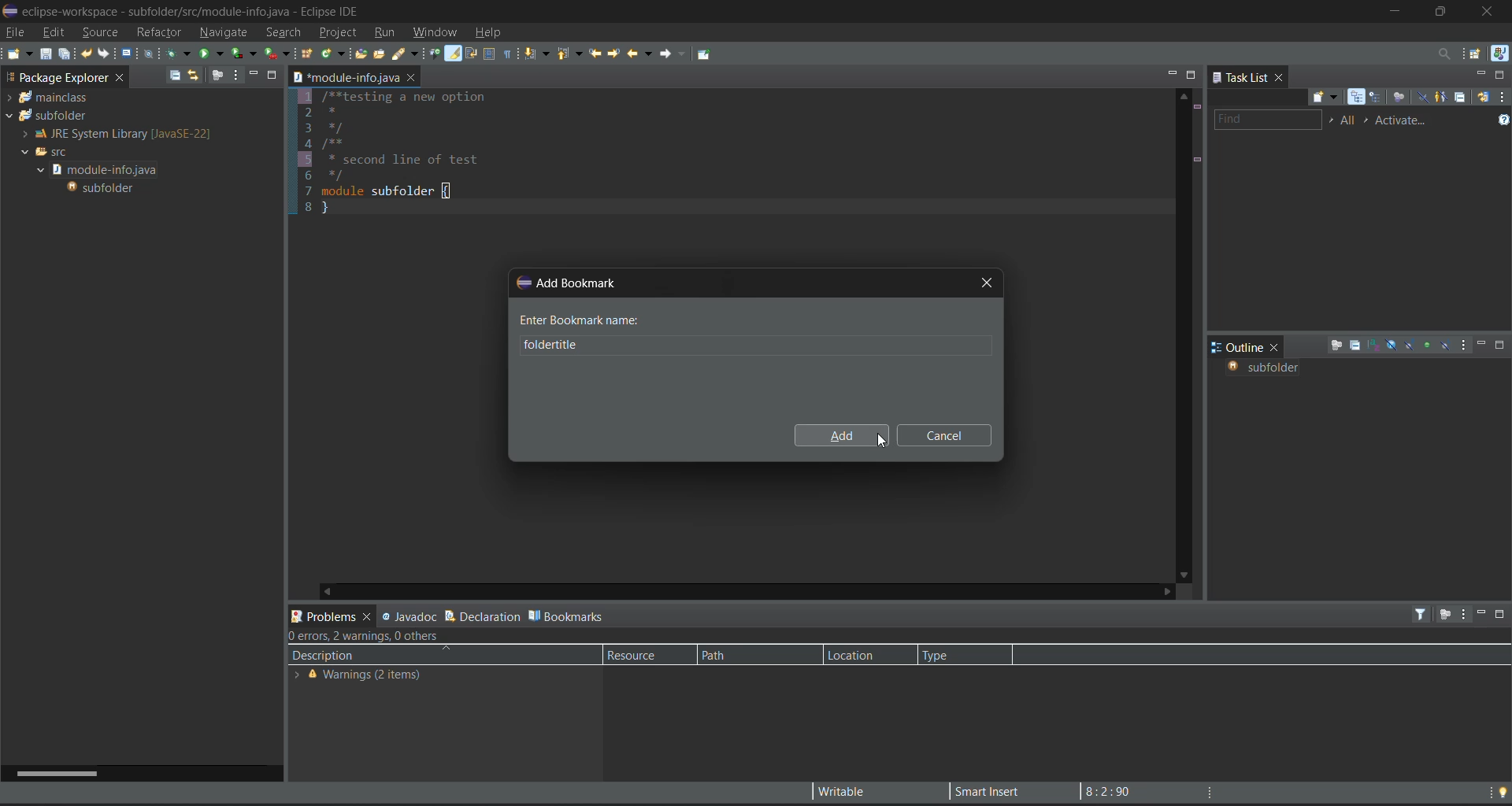  What do you see at coordinates (636, 53) in the screenshot?
I see `back` at bounding box center [636, 53].